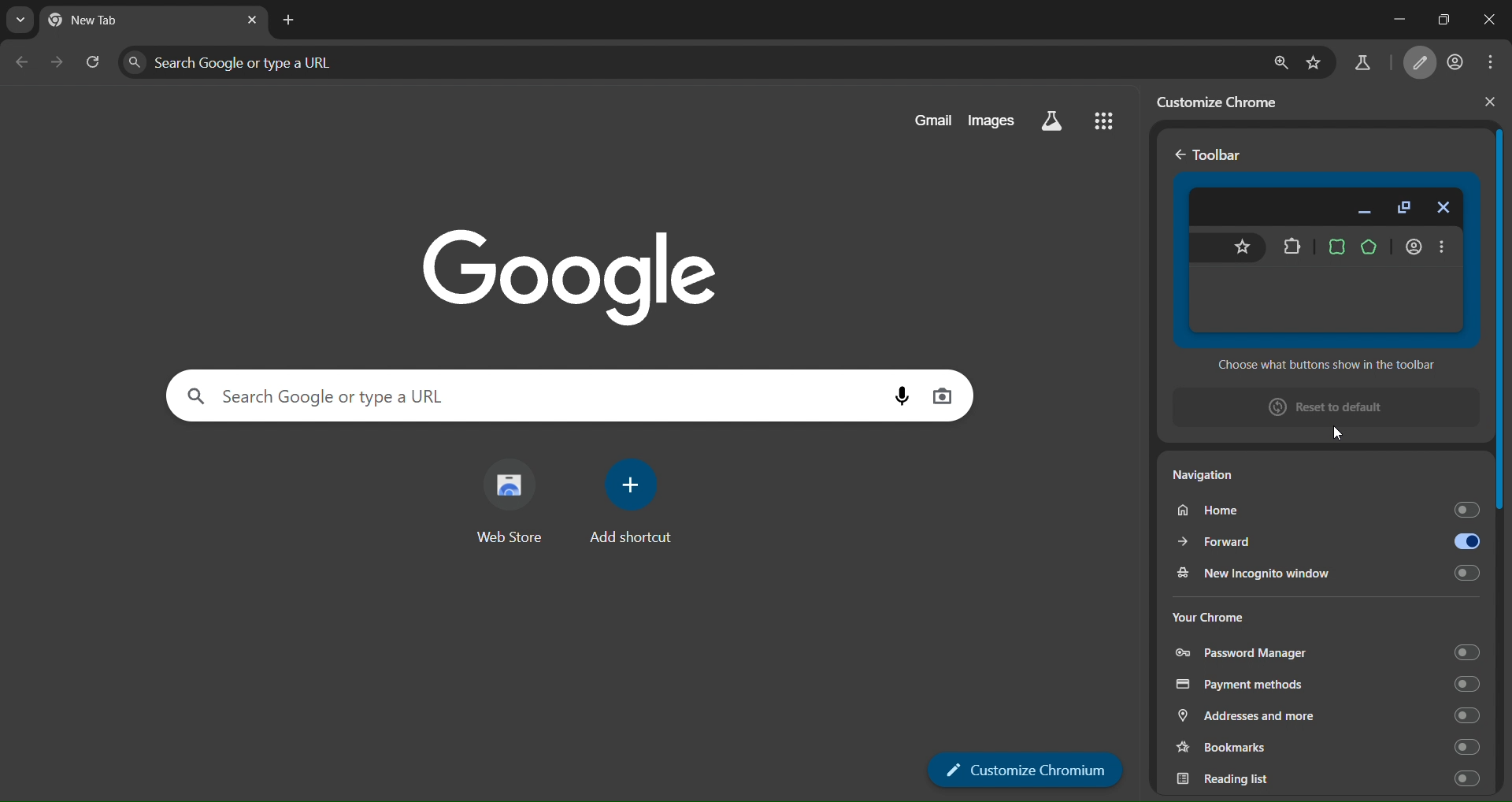 Image resolution: width=1512 pixels, height=802 pixels. Describe the element at coordinates (1392, 13) in the screenshot. I see `minimize` at that location.